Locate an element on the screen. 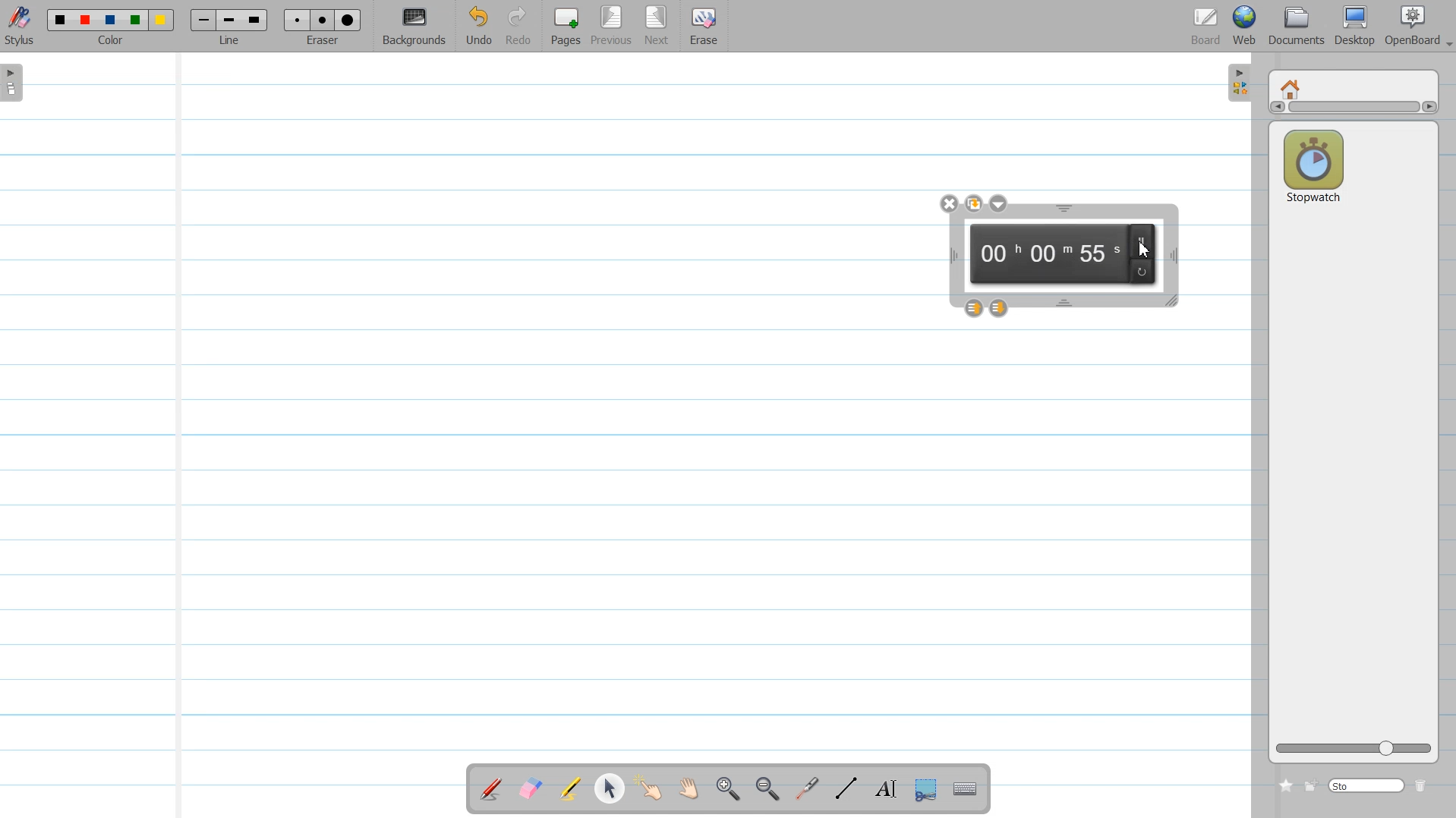 The image size is (1456, 818). Select and modify object is located at coordinates (609, 788).